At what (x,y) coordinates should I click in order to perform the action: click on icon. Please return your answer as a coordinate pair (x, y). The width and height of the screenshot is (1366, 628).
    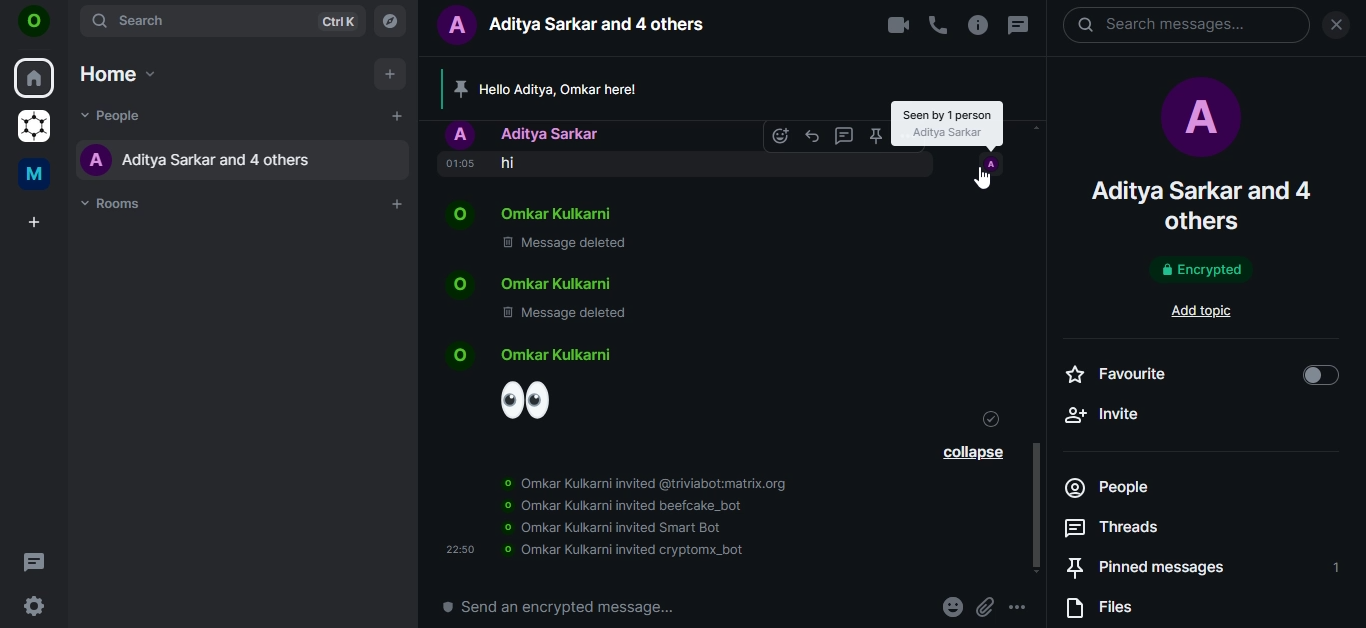
    Looking at the image, I should click on (34, 24).